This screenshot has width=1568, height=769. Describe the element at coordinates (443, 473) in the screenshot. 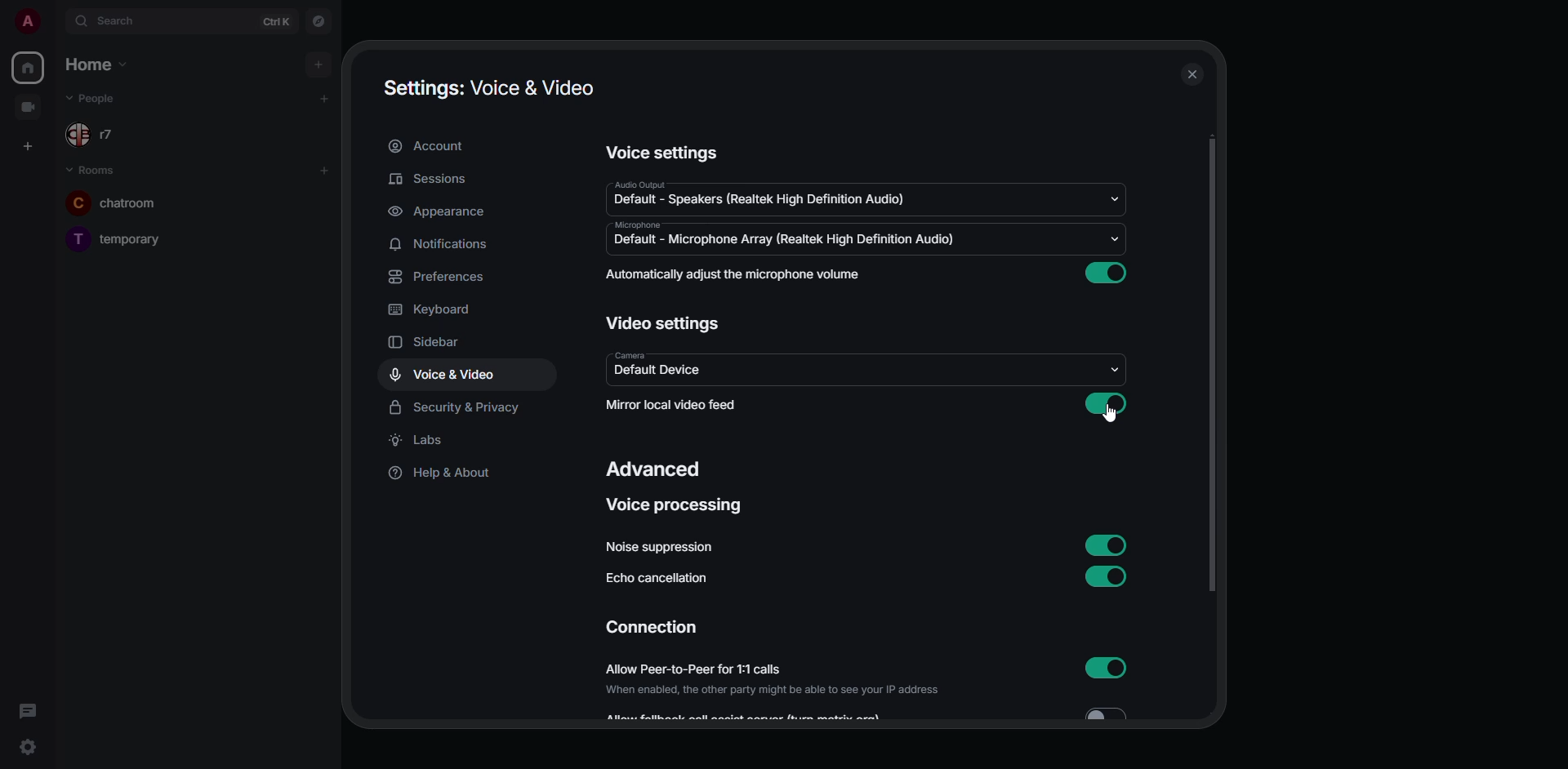

I see `help & about` at that location.